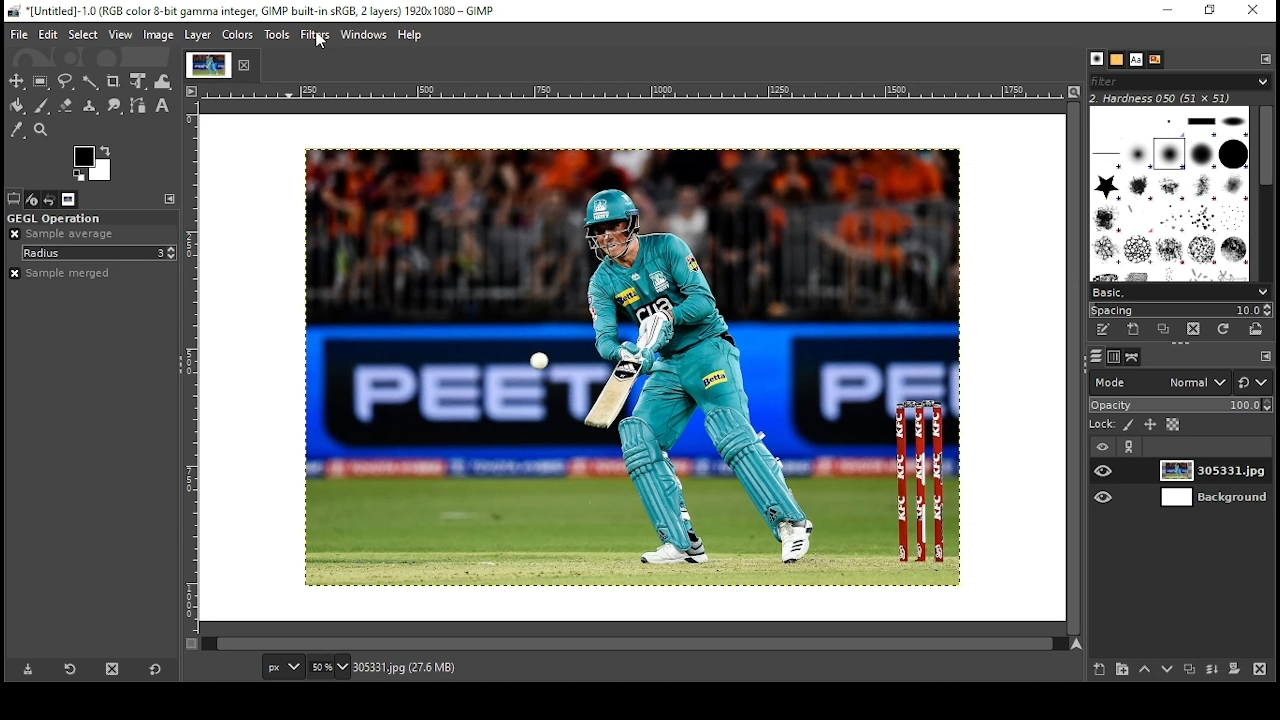 Image resolution: width=1280 pixels, height=720 pixels. What do you see at coordinates (65, 105) in the screenshot?
I see `eraser tool` at bounding box center [65, 105].